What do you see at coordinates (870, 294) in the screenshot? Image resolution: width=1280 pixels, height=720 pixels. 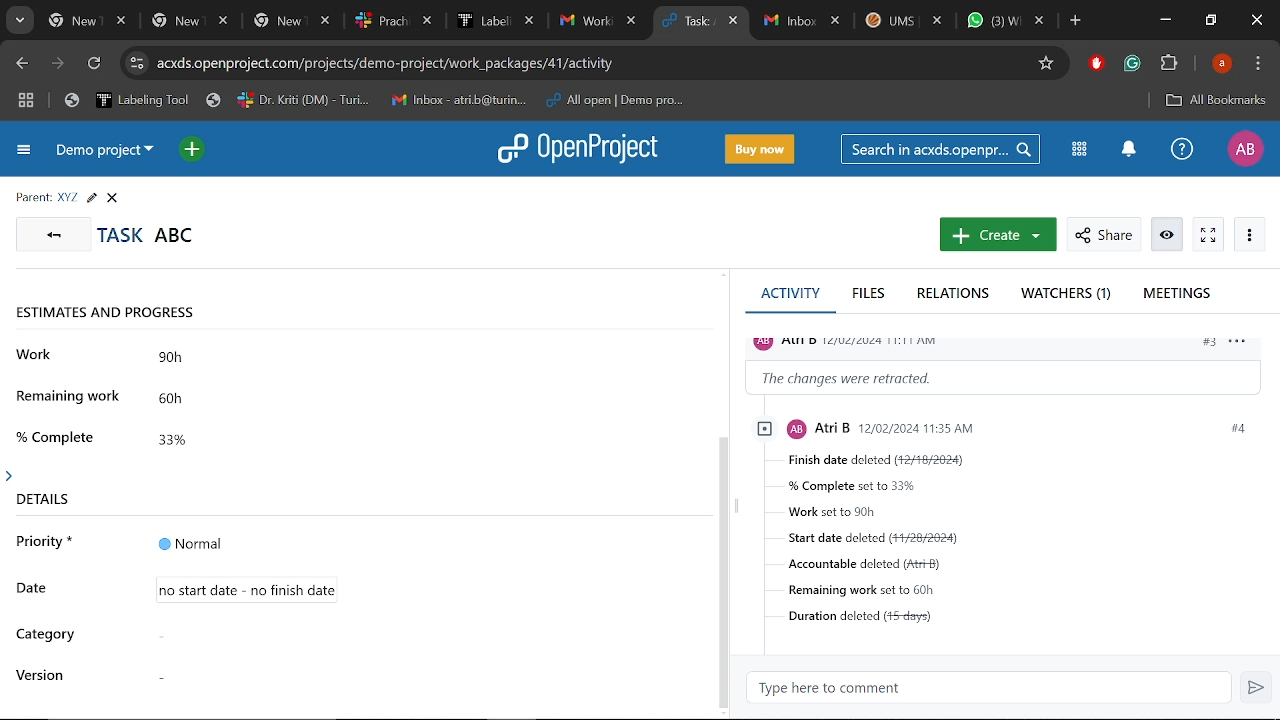 I see `Files` at bounding box center [870, 294].